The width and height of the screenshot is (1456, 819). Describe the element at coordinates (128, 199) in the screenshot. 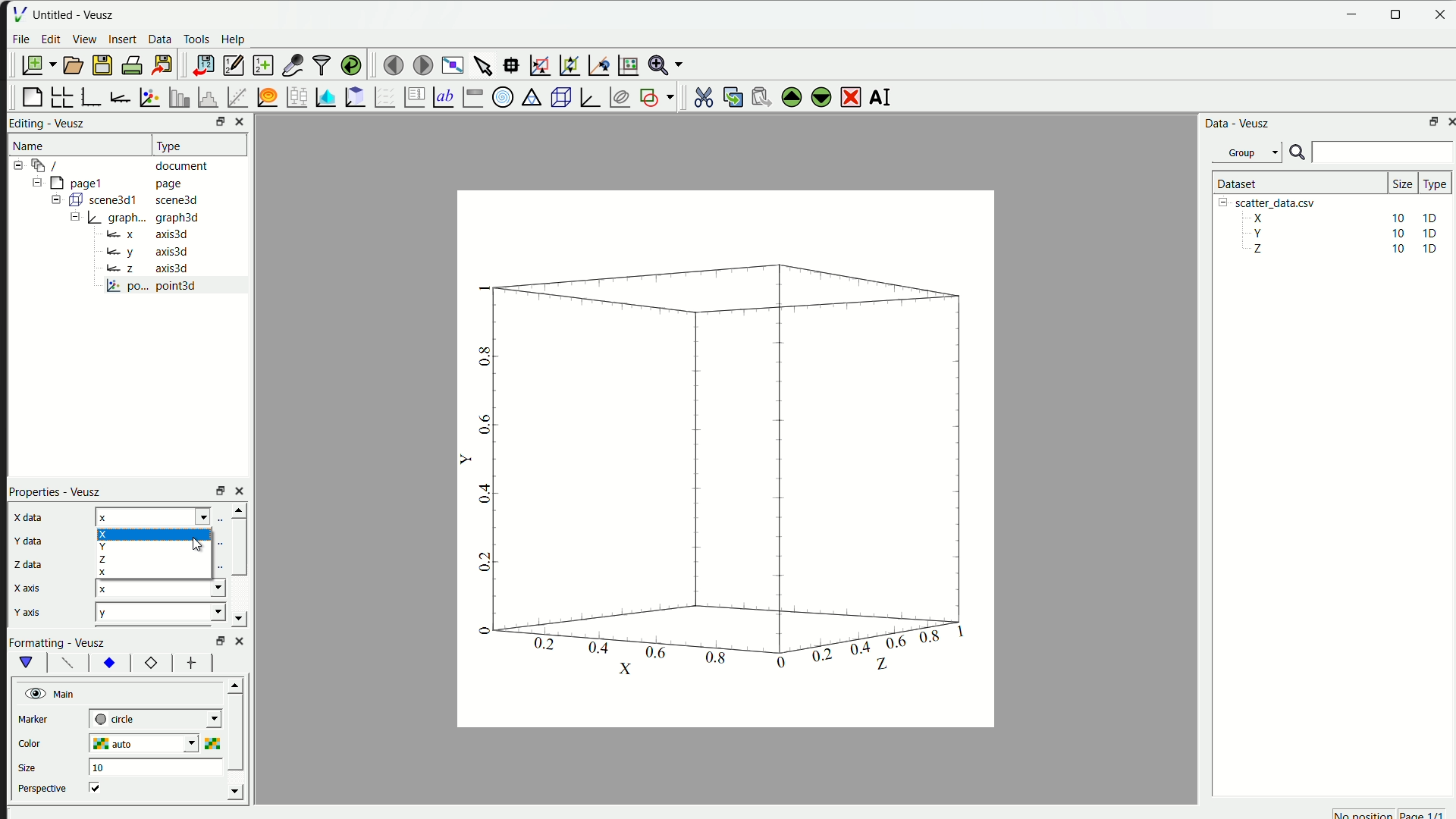

I see `= ( scene3d1  scene3d` at that location.